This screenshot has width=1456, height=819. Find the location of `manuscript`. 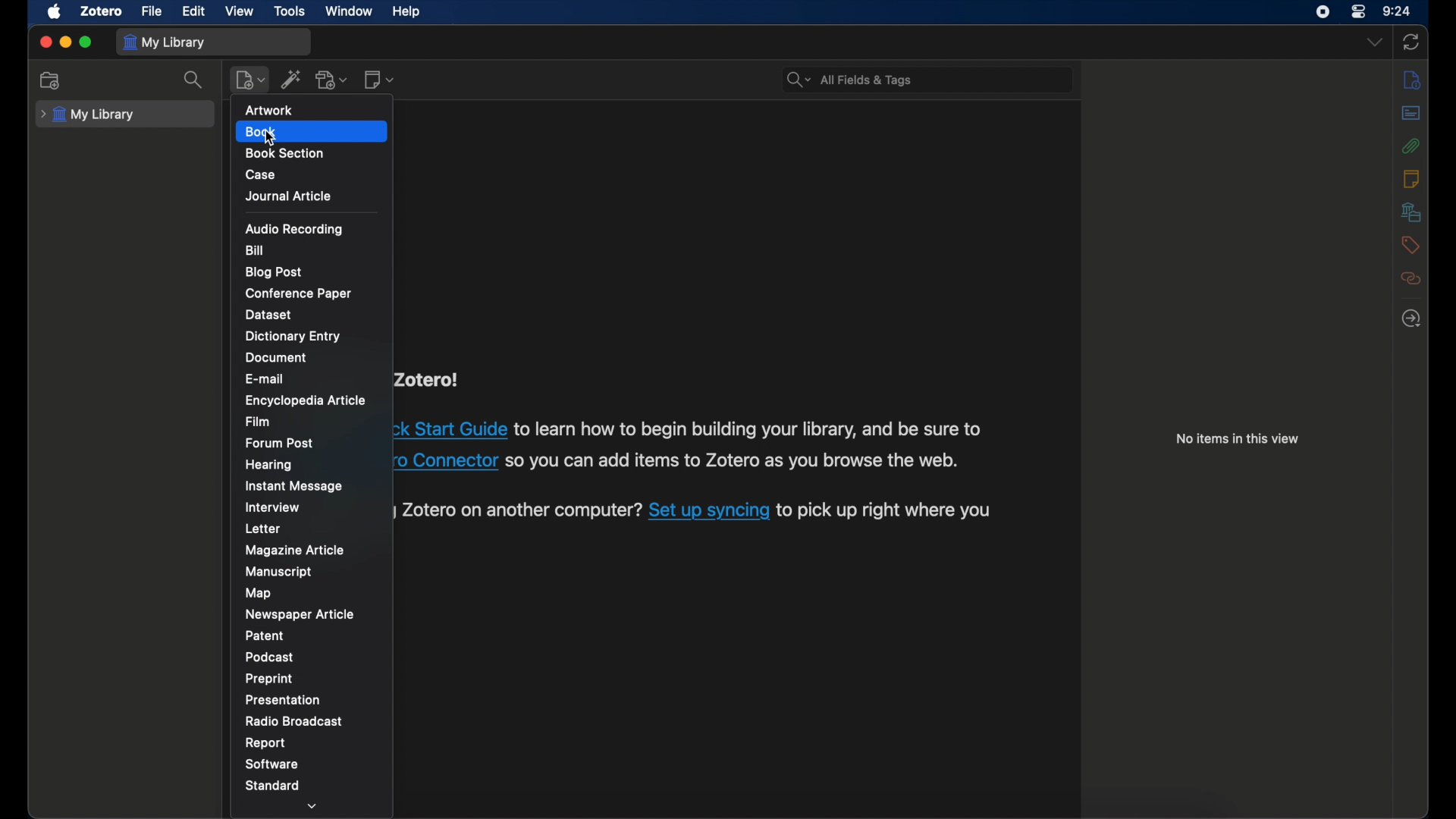

manuscript is located at coordinates (278, 572).